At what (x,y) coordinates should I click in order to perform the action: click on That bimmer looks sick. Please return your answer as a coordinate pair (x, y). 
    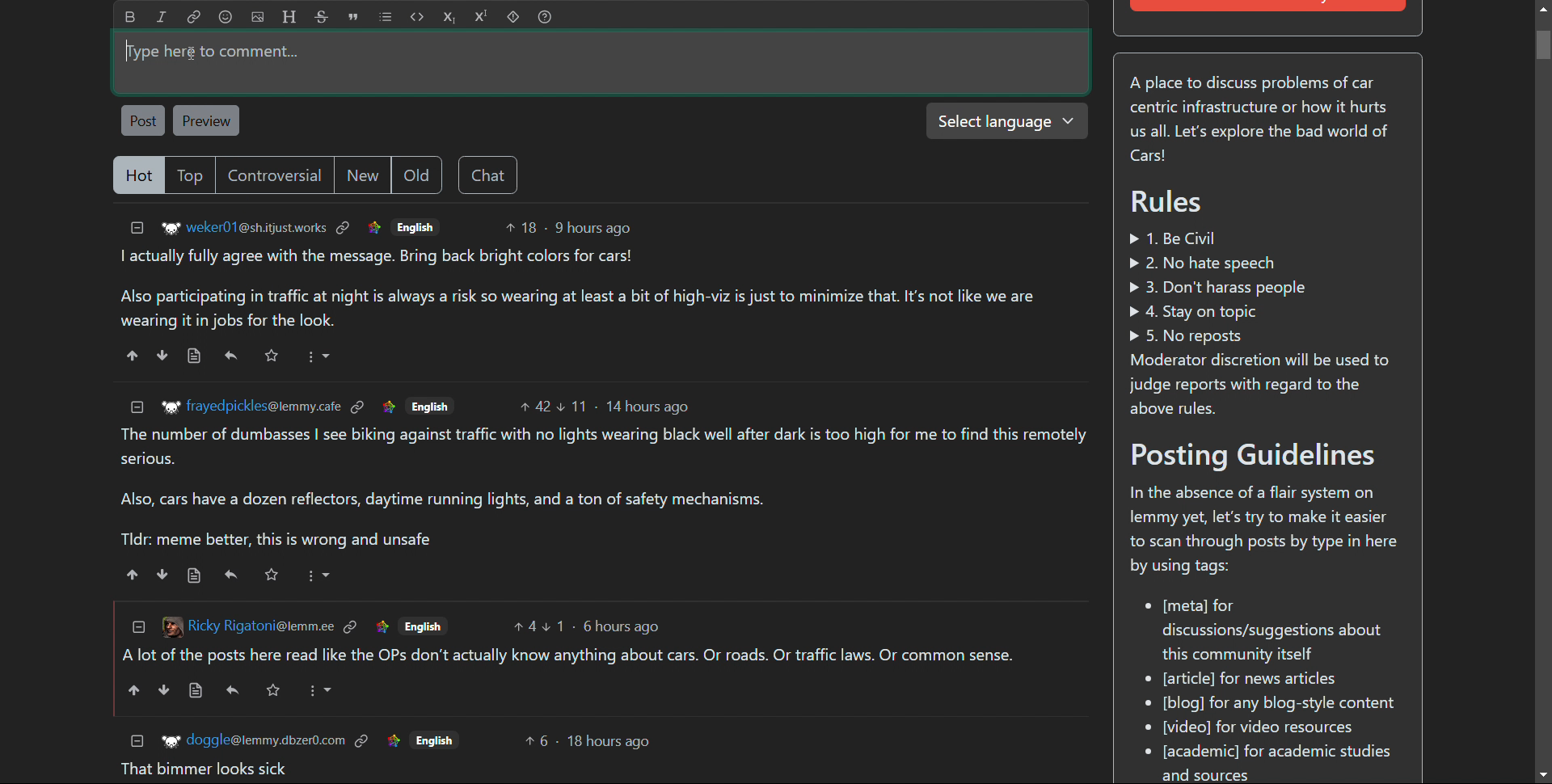
    Looking at the image, I should click on (204, 769).